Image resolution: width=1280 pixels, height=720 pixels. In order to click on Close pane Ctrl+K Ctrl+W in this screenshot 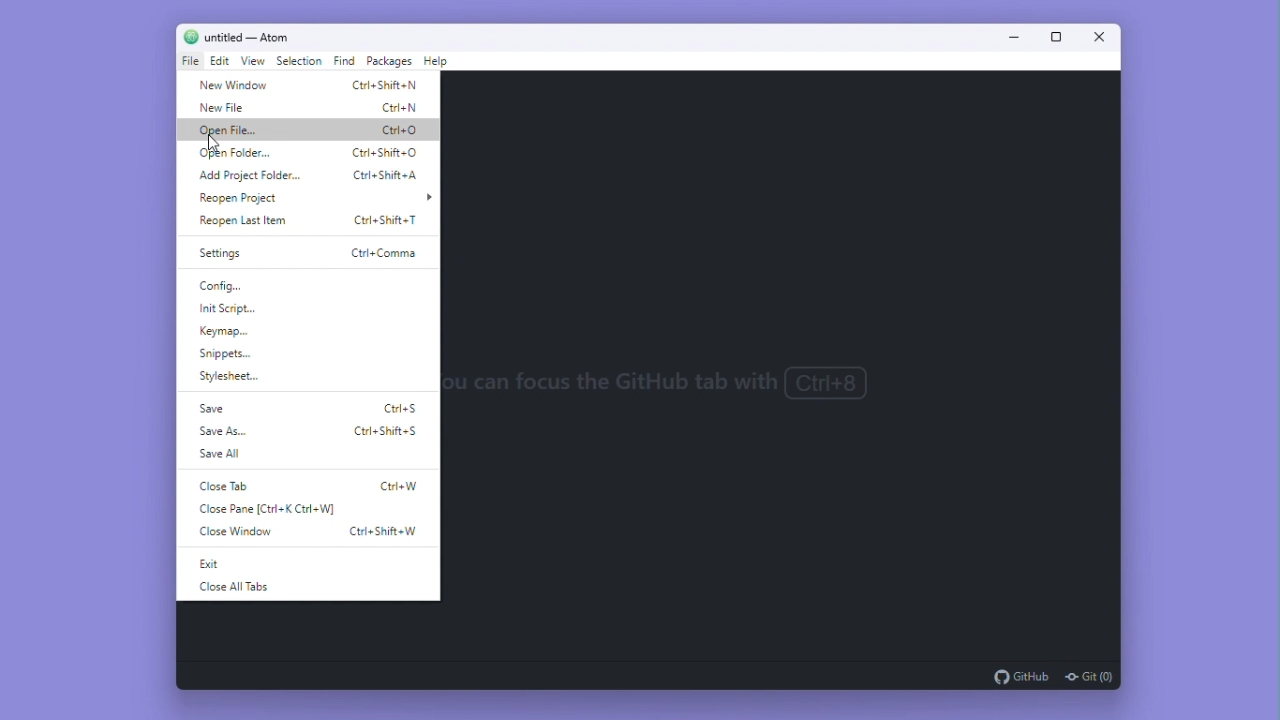, I will do `click(277, 509)`.